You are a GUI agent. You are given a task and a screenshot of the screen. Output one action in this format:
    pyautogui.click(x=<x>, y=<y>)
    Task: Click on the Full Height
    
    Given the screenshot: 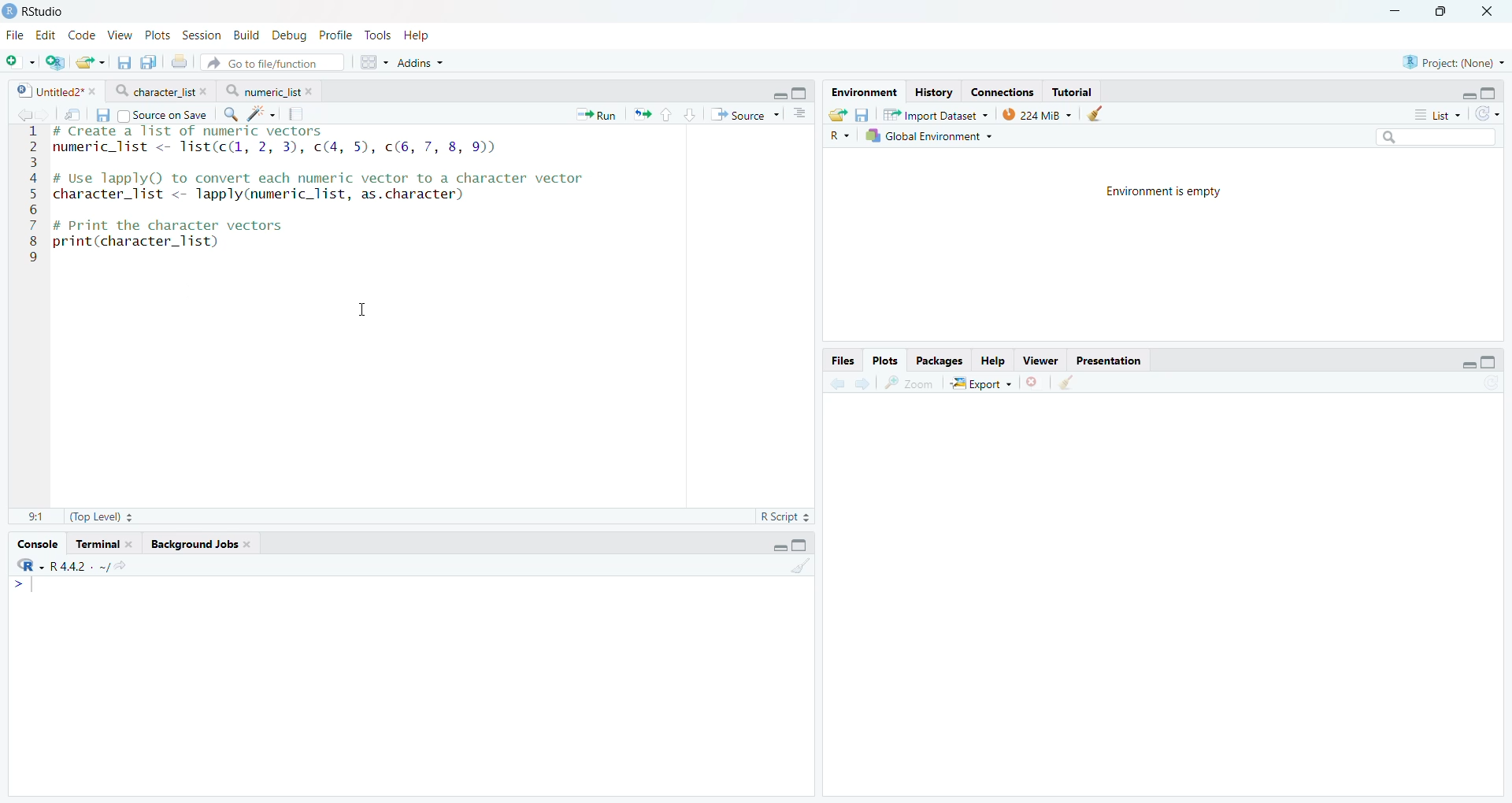 What is the action you would take?
    pyautogui.click(x=1490, y=91)
    